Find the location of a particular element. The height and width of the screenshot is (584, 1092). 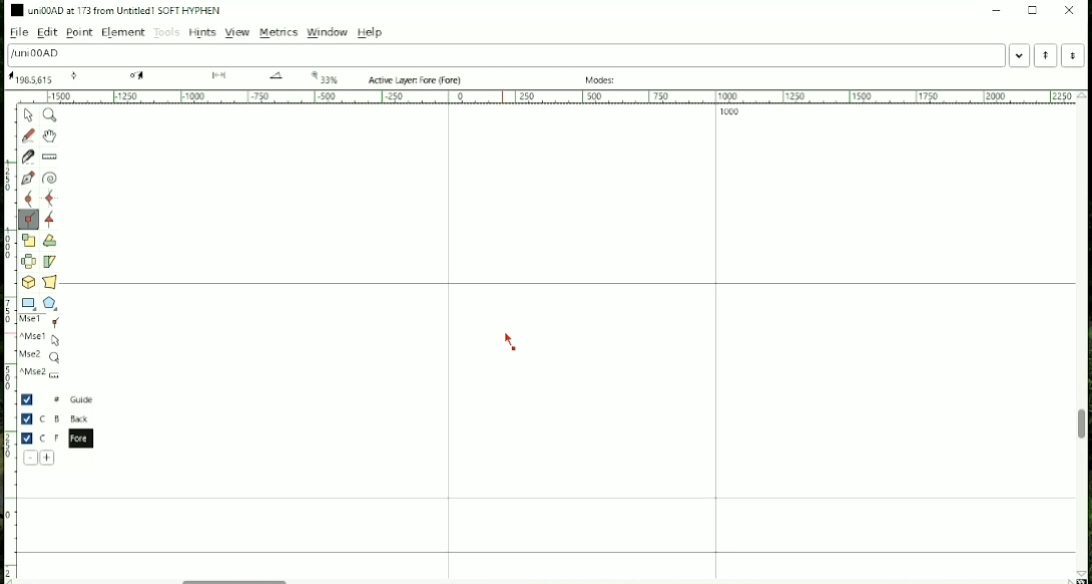

Add a curve point is located at coordinates (28, 198).